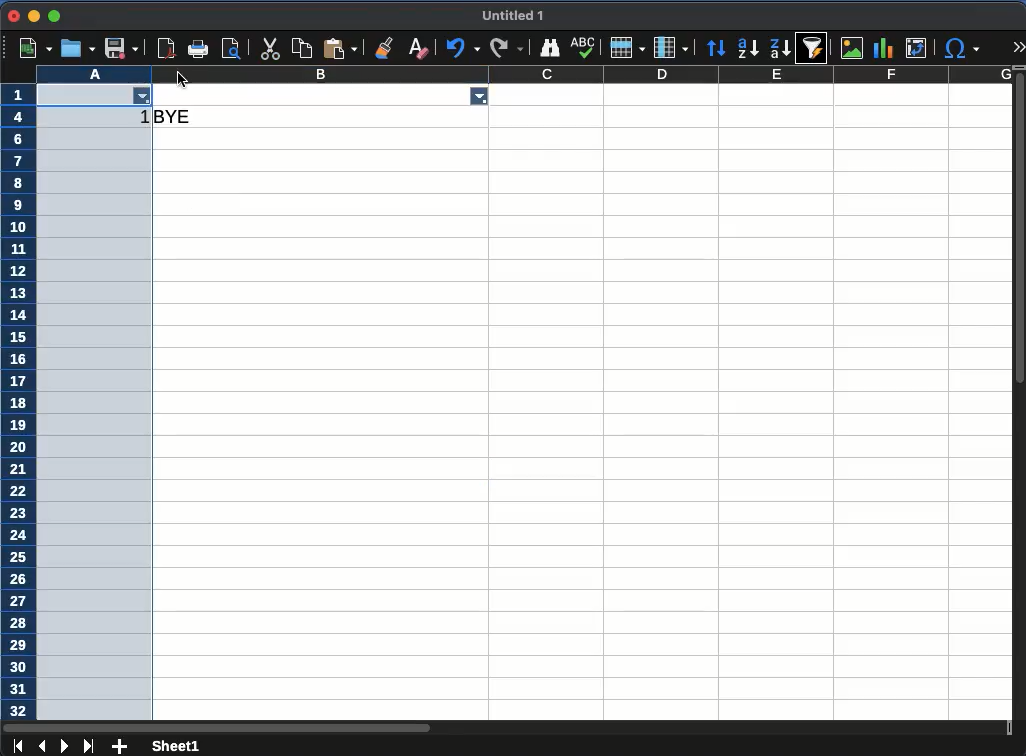 The width and height of the screenshot is (1026, 756). What do you see at coordinates (123, 50) in the screenshot?
I see `save` at bounding box center [123, 50].